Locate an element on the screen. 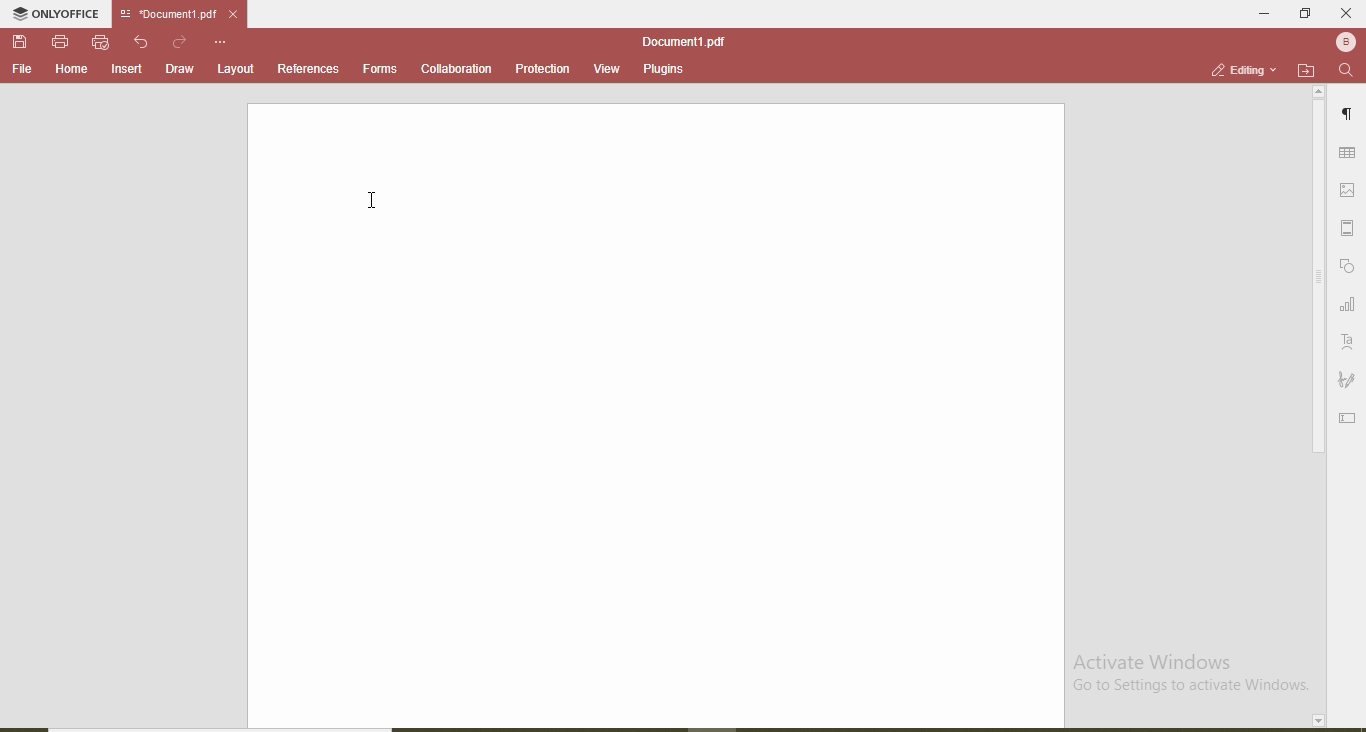 The image size is (1366, 732). signature is located at coordinates (1347, 381).